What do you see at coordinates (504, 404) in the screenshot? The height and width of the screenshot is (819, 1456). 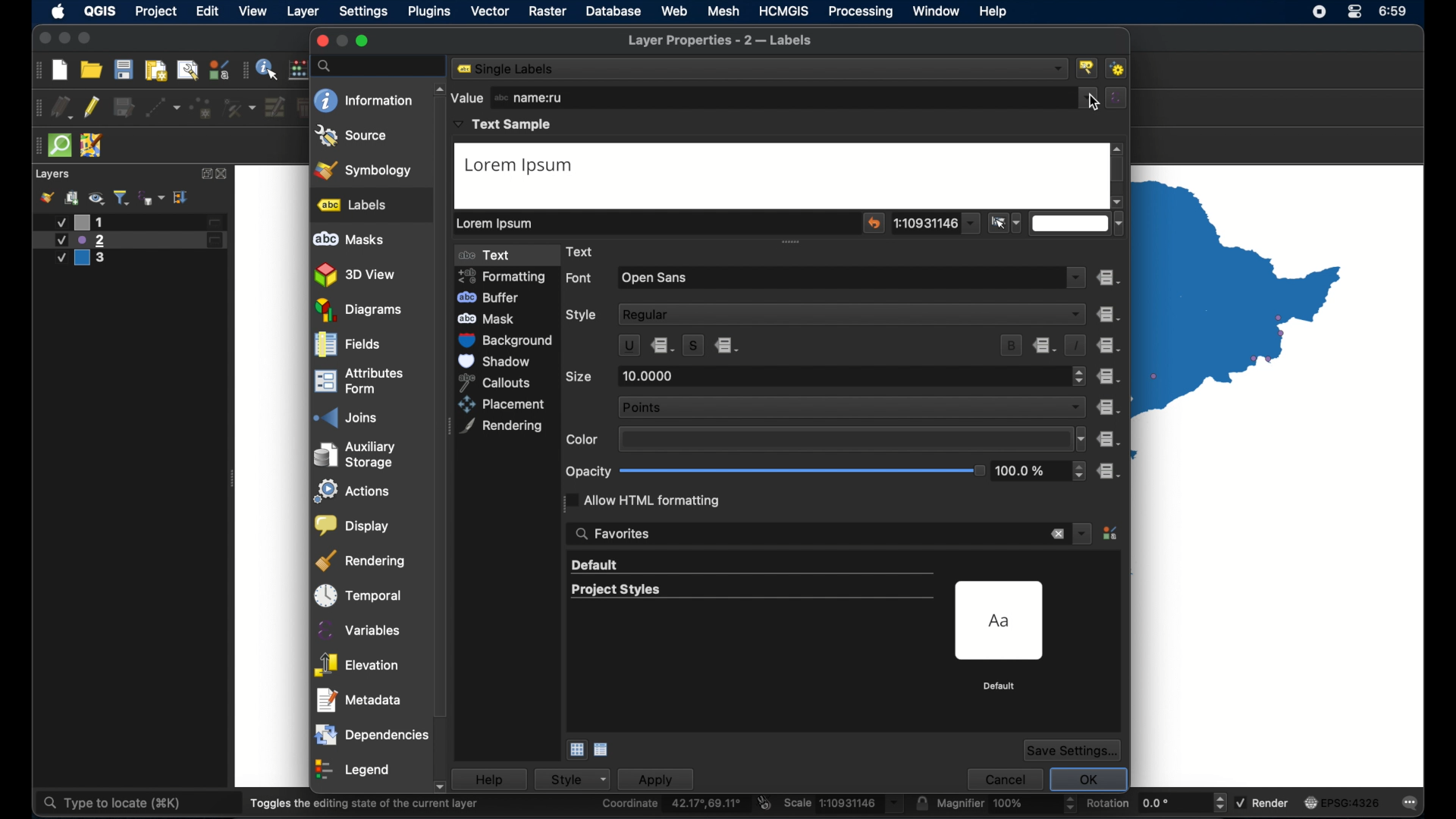 I see `placement` at bounding box center [504, 404].